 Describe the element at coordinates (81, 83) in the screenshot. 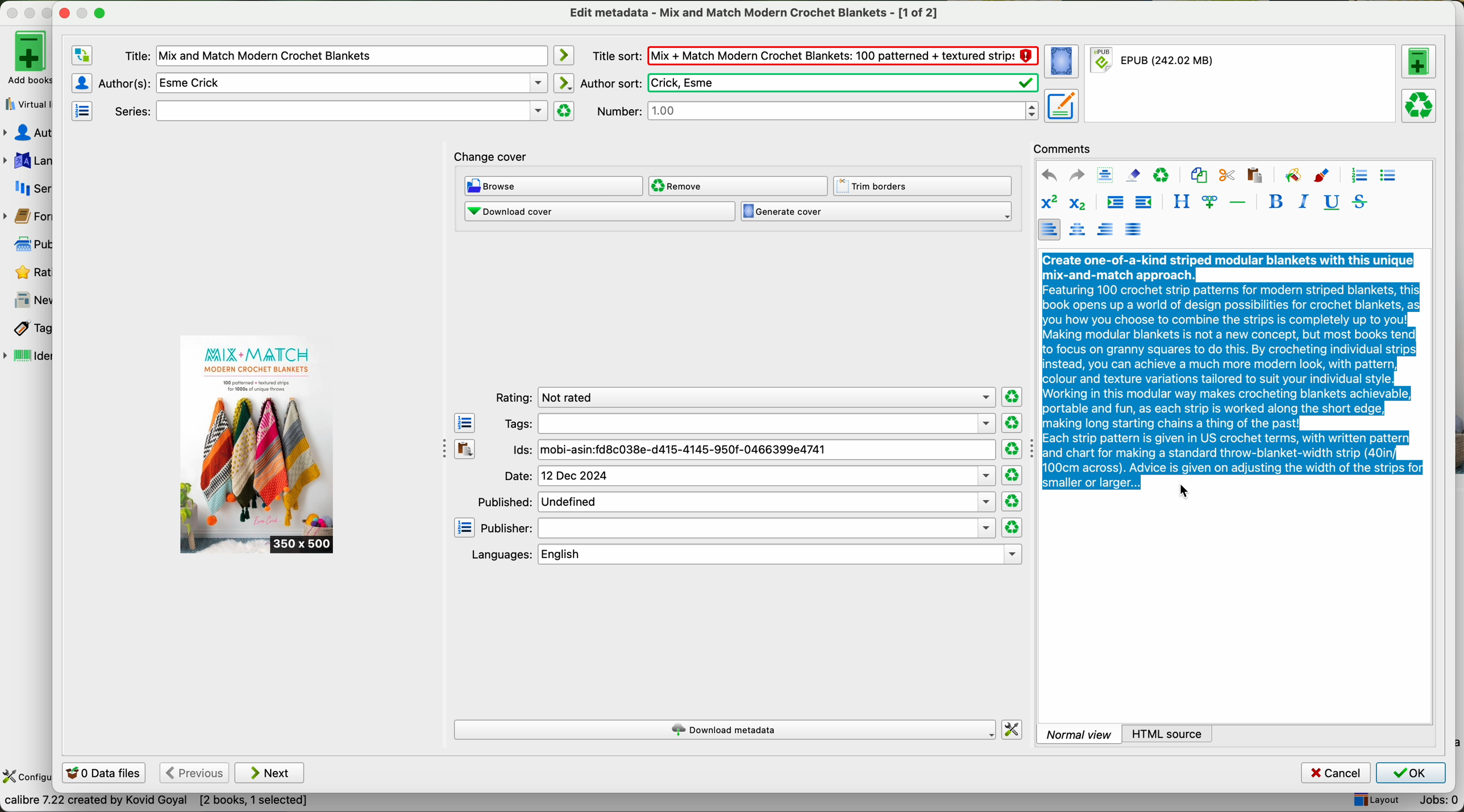

I see `set the manage authors editor` at that location.